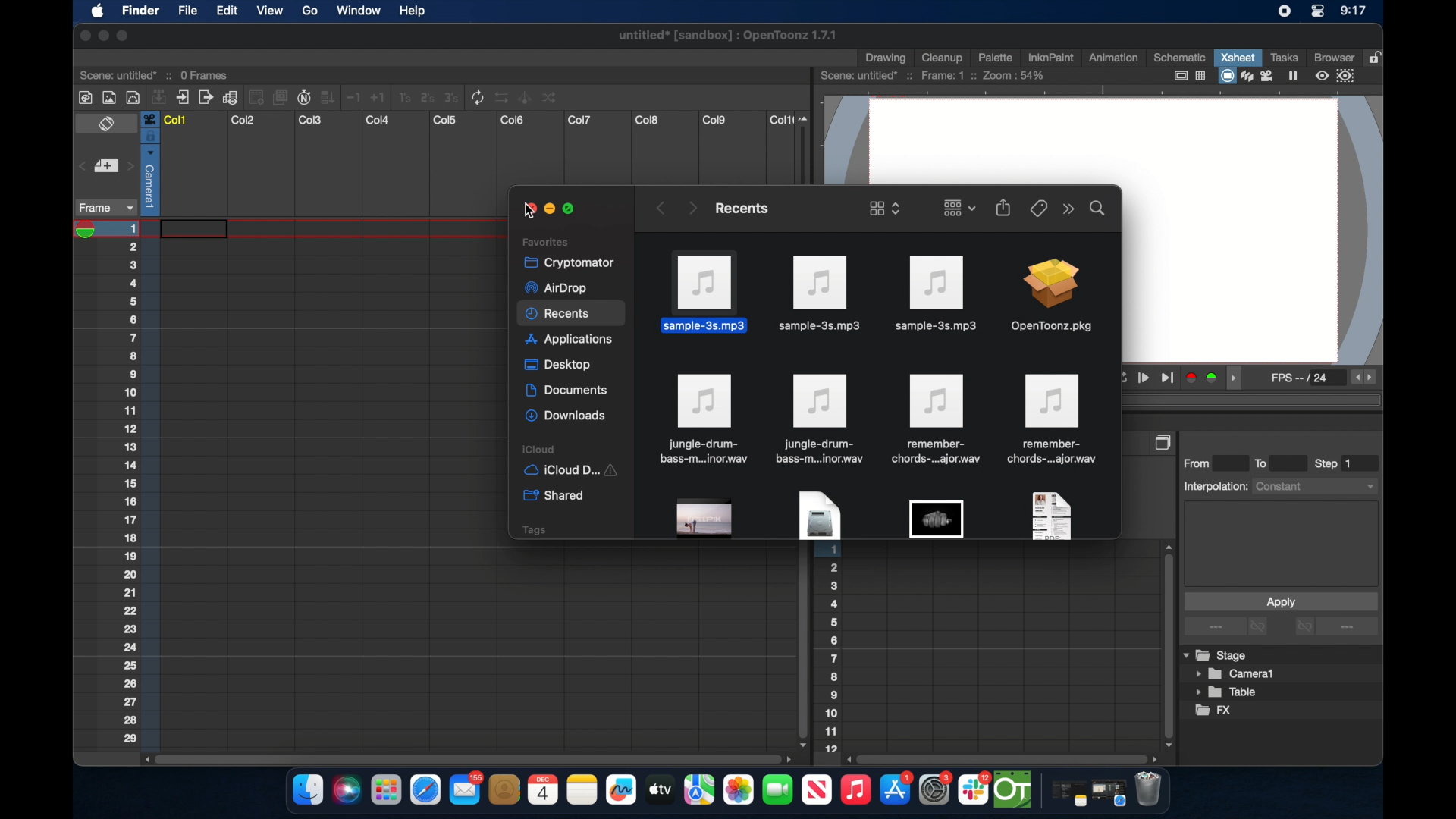 This screenshot has height=819, width=1456. I want to click on trash, so click(1148, 791).